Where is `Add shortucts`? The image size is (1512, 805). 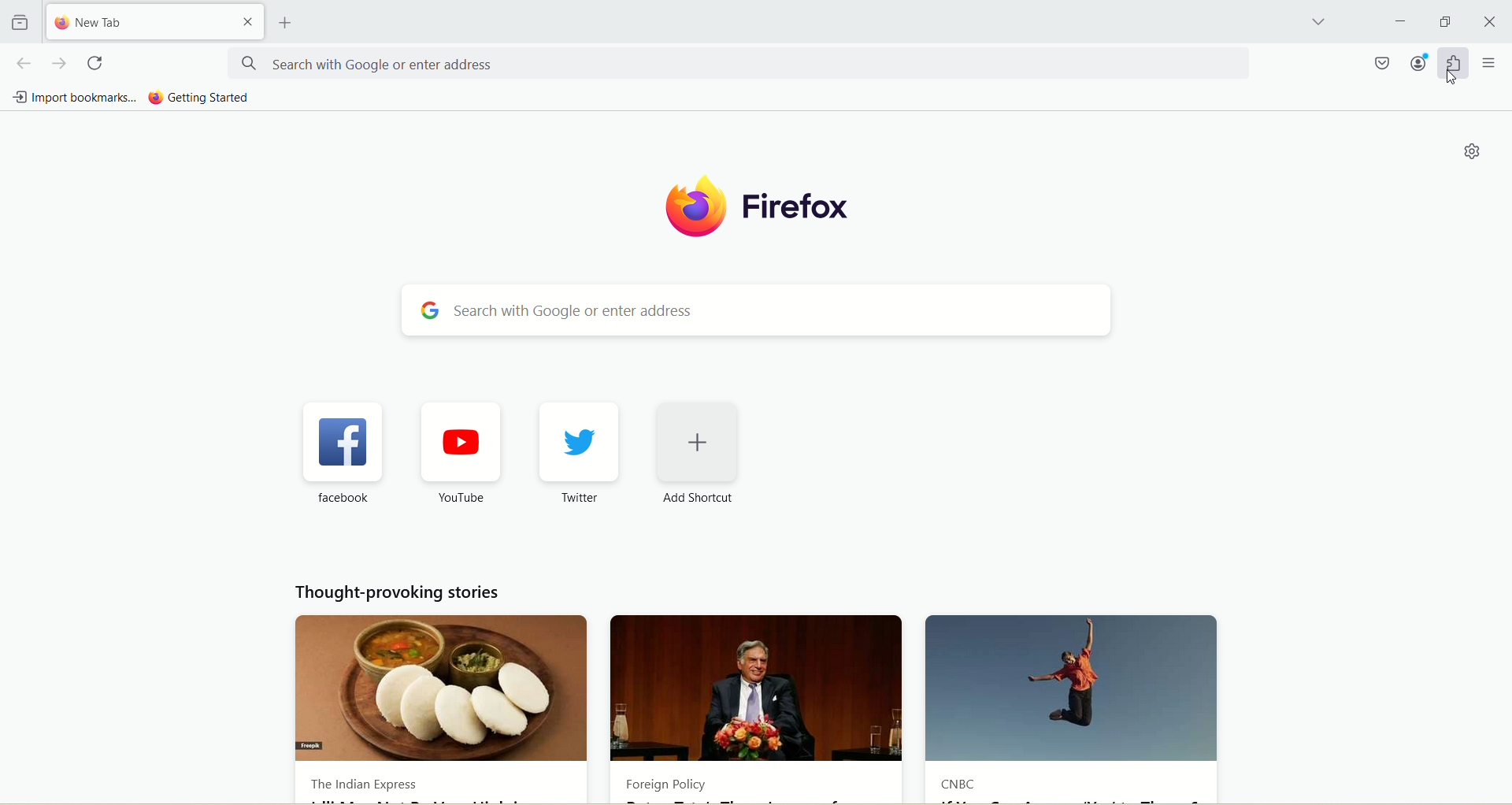
Add shortucts is located at coordinates (699, 455).